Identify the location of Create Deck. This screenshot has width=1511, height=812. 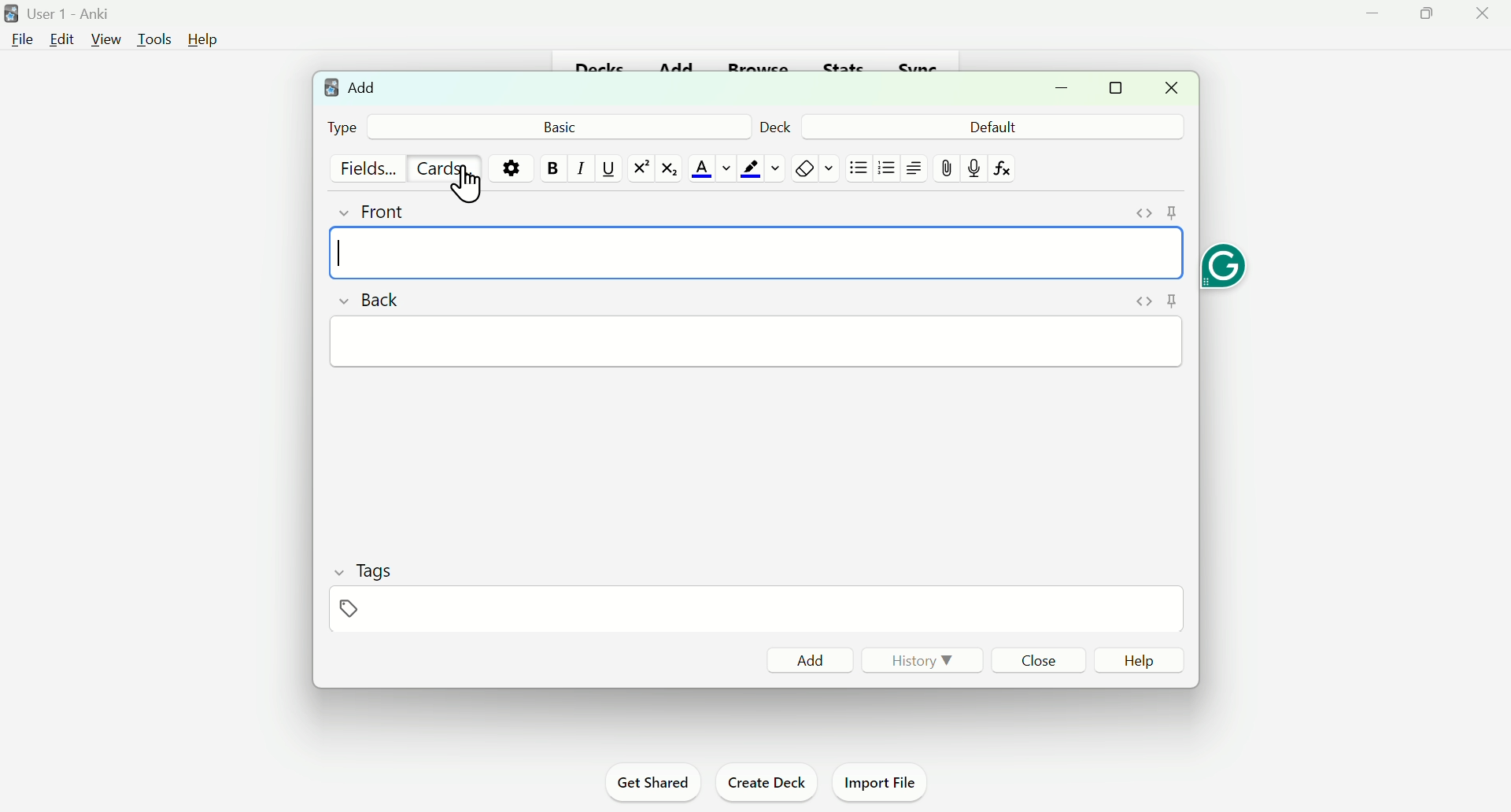
(769, 785).